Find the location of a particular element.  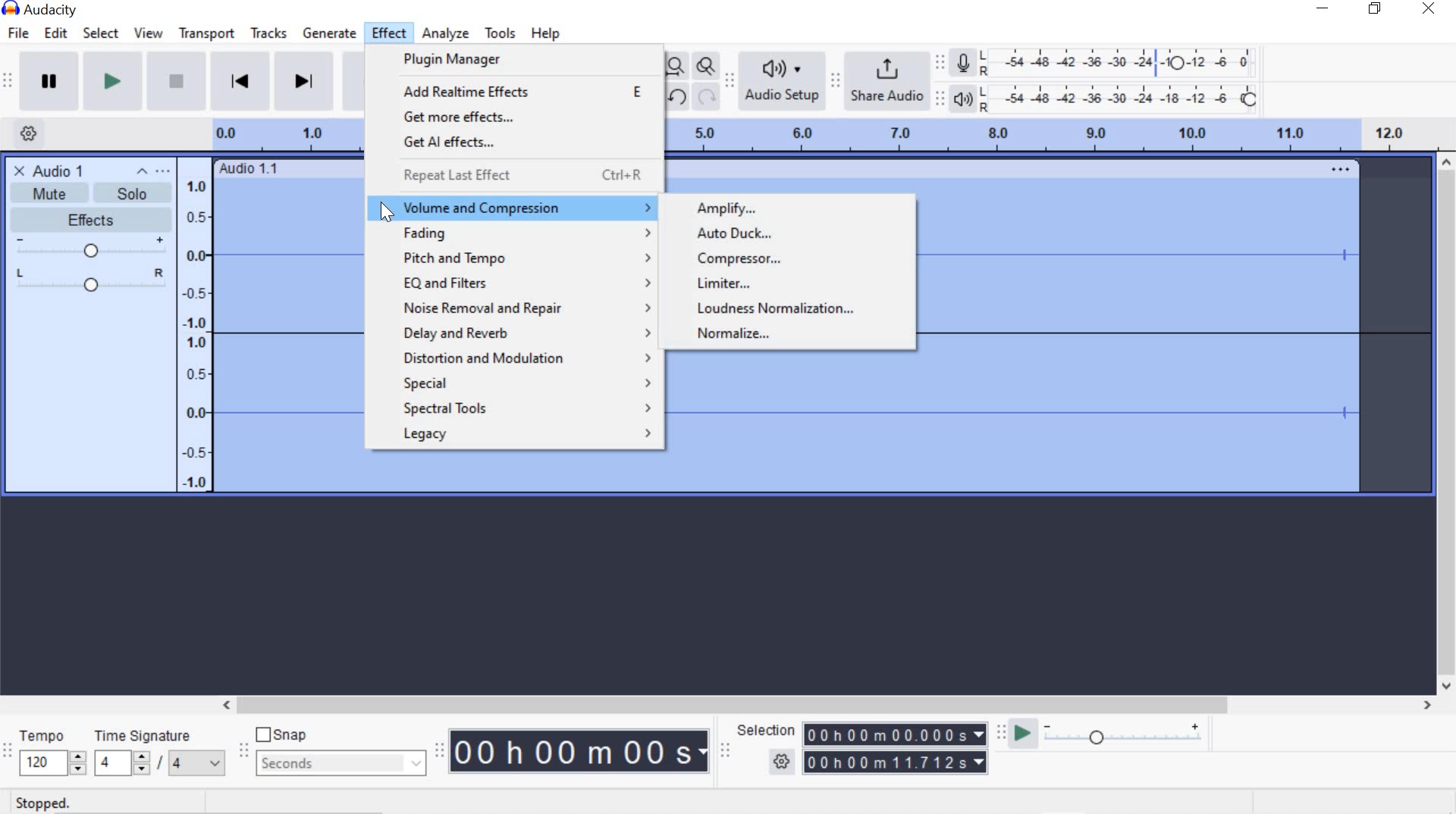

Loudness Normalization is located at coordinates (777, 310).